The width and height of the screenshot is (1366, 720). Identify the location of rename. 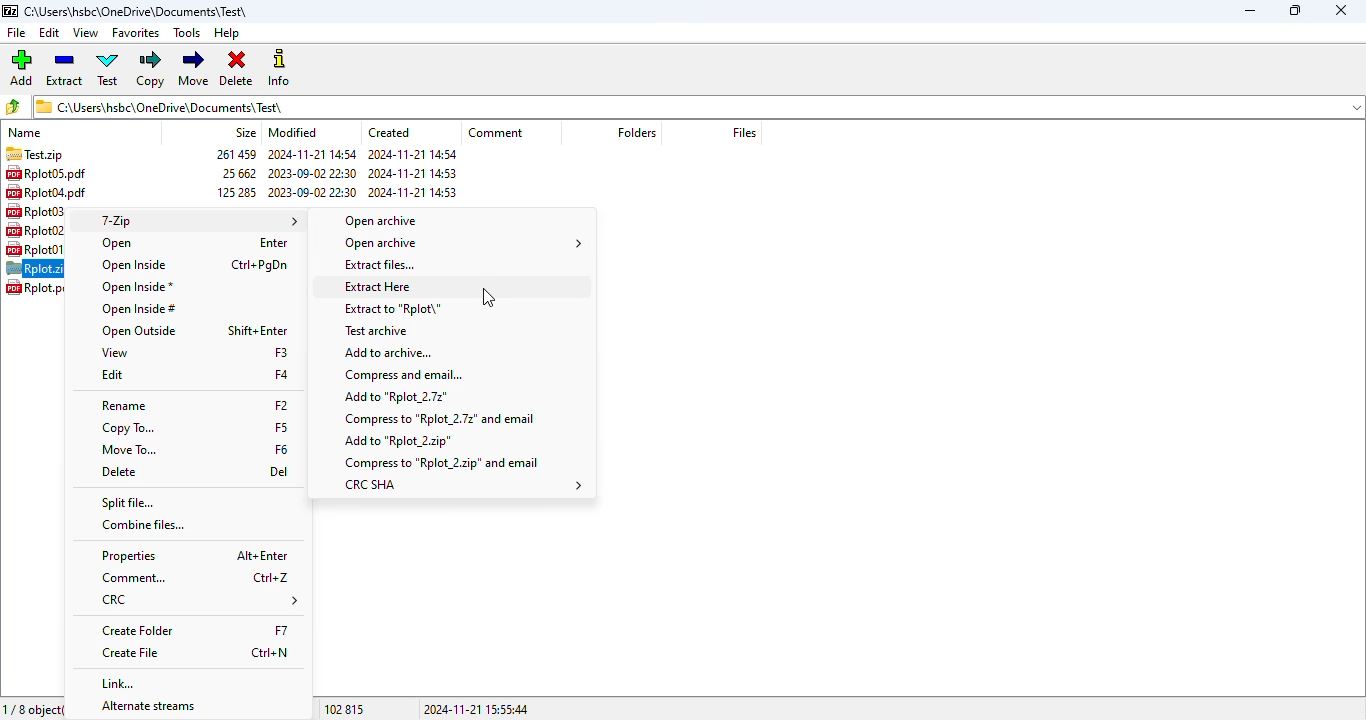
(123, 406).